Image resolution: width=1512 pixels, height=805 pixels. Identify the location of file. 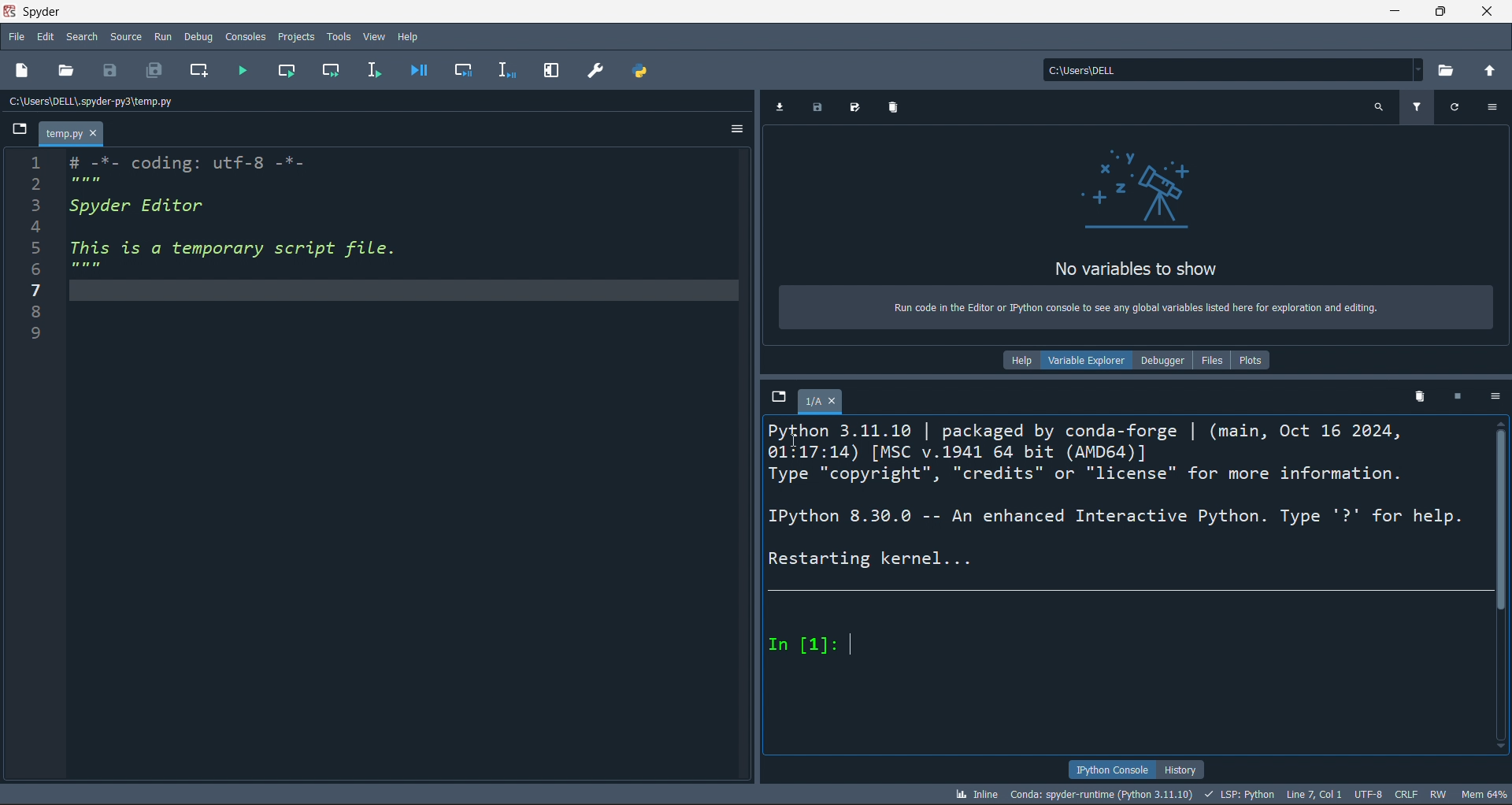
(16, 36).